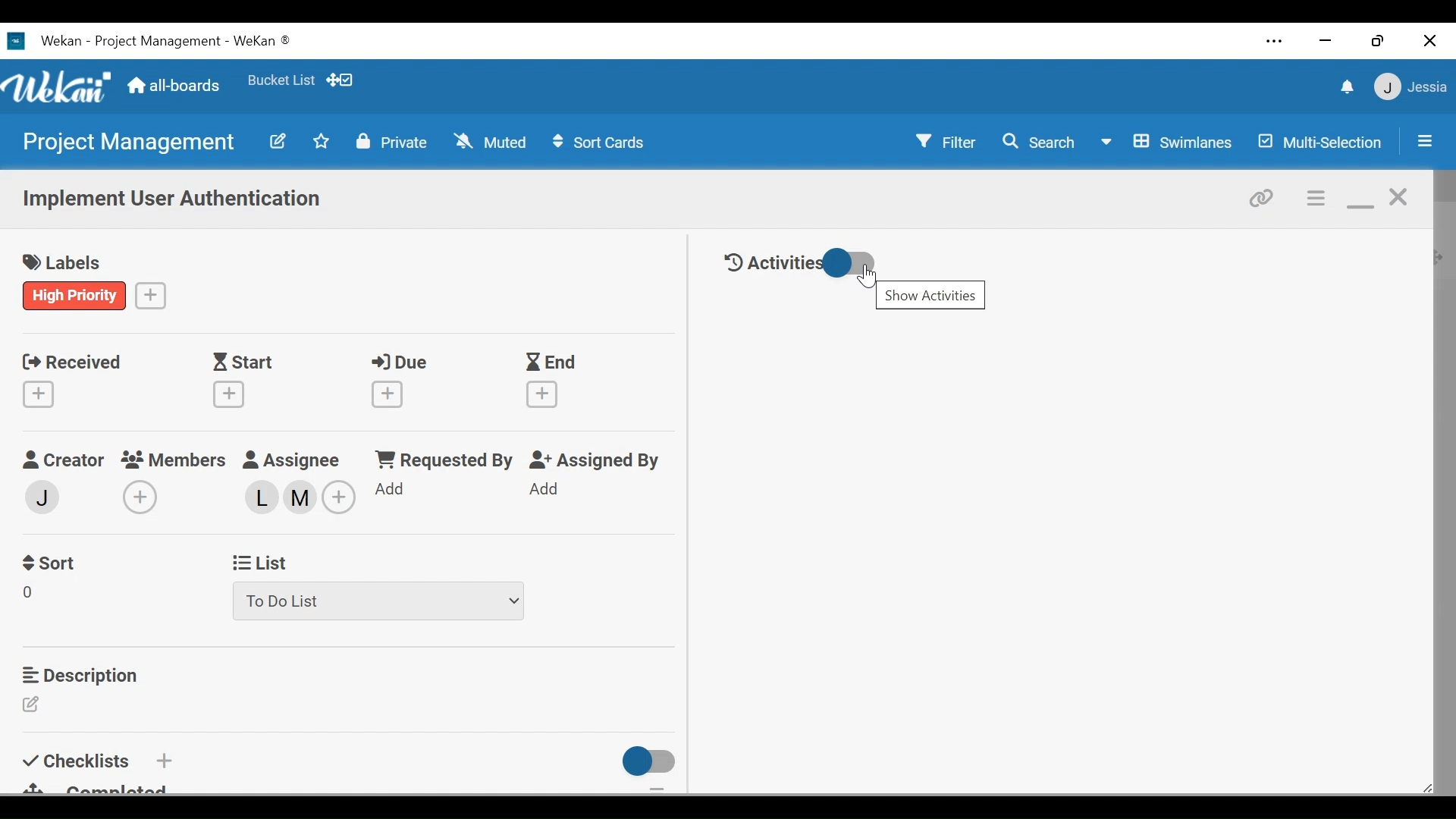 This screenshot has width=1456, height=819. What do you see at coordinates (1343, 88) in the screenshot?
I see `notifications` at bounding box center [1343, 88].